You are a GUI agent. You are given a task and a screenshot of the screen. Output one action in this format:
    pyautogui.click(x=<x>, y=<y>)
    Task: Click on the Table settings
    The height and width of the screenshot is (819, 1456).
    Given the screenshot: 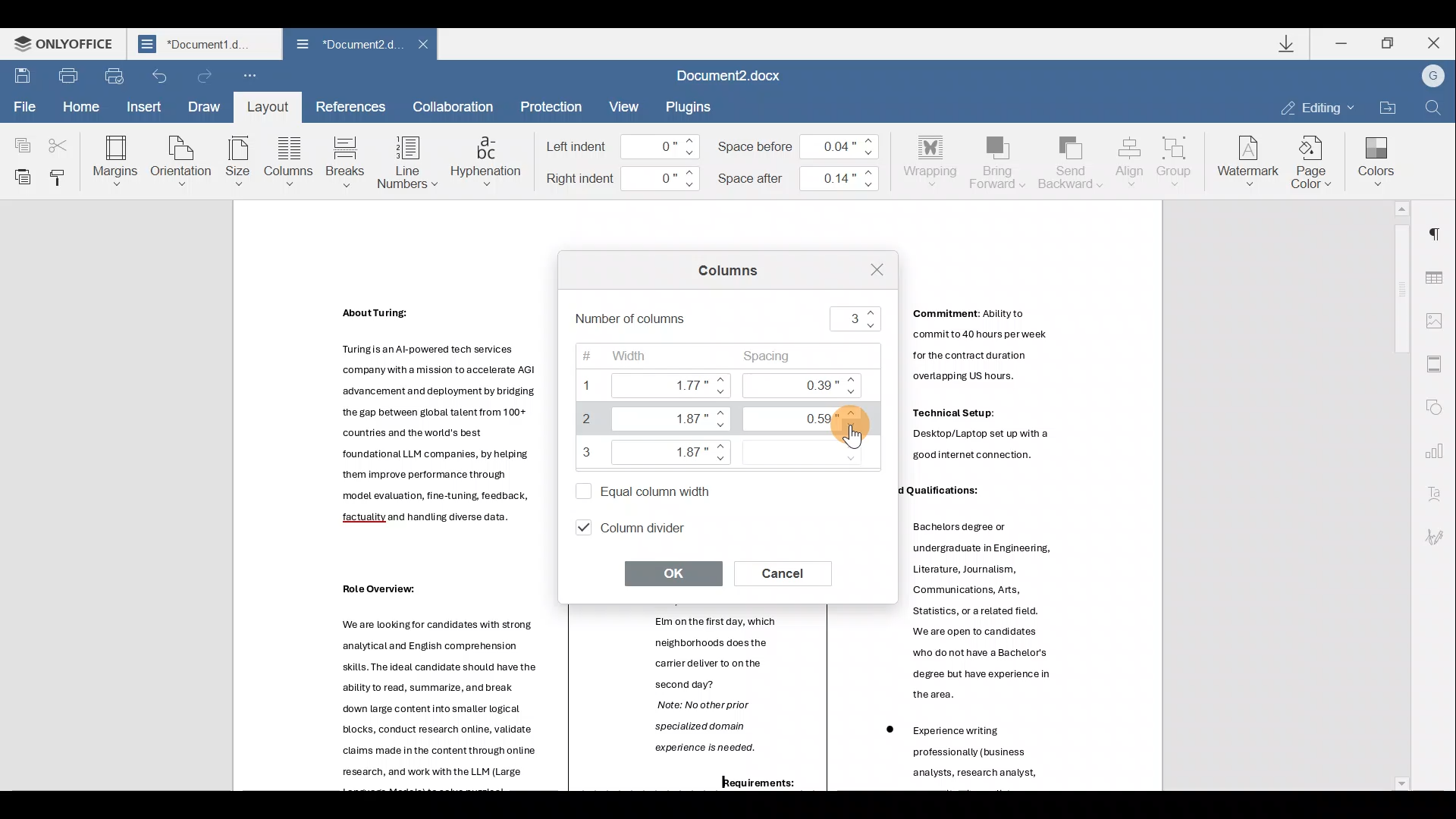 What is the action you would take?
    pyautogui.click(x=1439, y=272)
    